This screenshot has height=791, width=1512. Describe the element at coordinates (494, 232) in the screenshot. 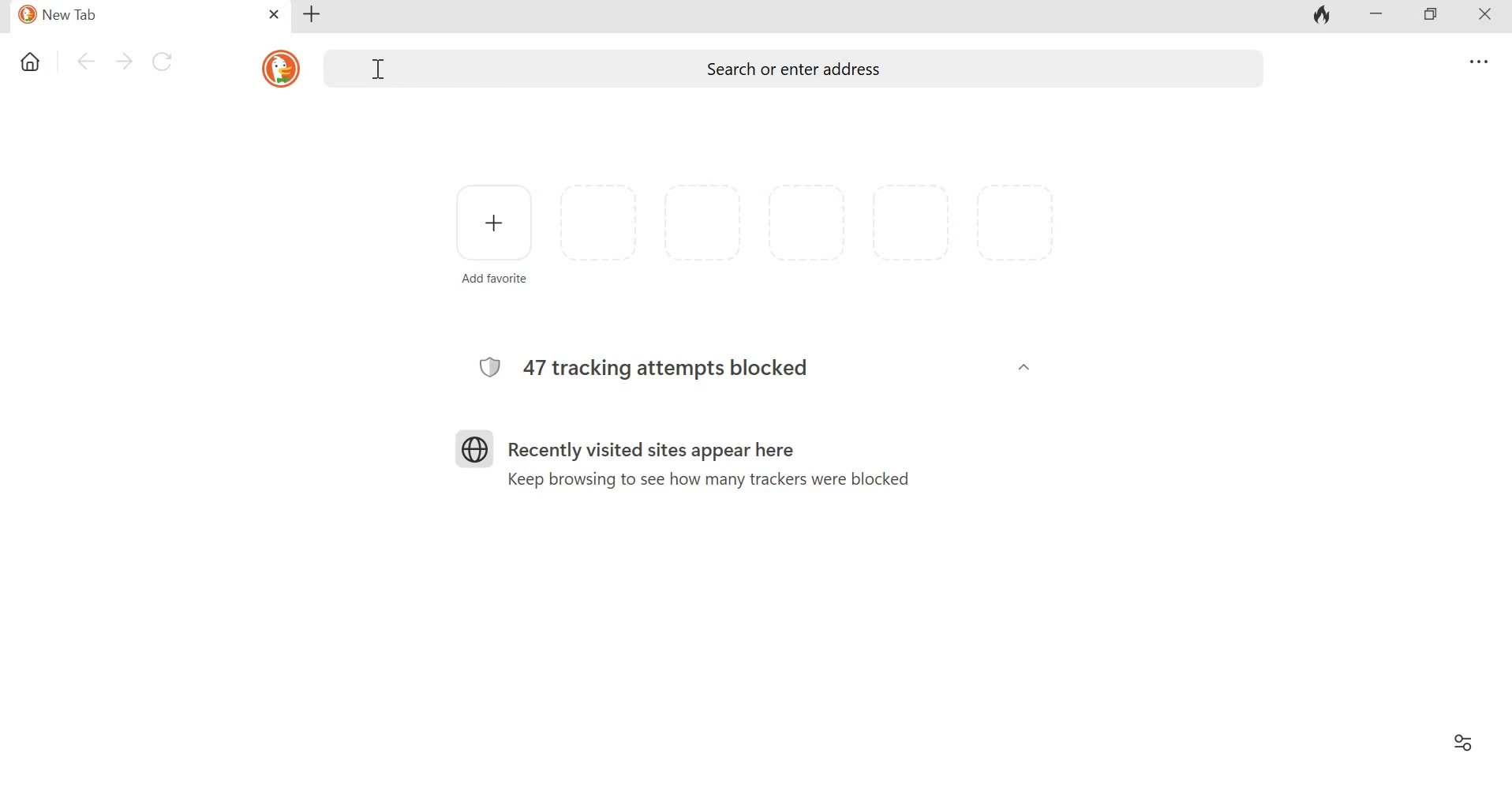

I see `Add shortcut` at that location.